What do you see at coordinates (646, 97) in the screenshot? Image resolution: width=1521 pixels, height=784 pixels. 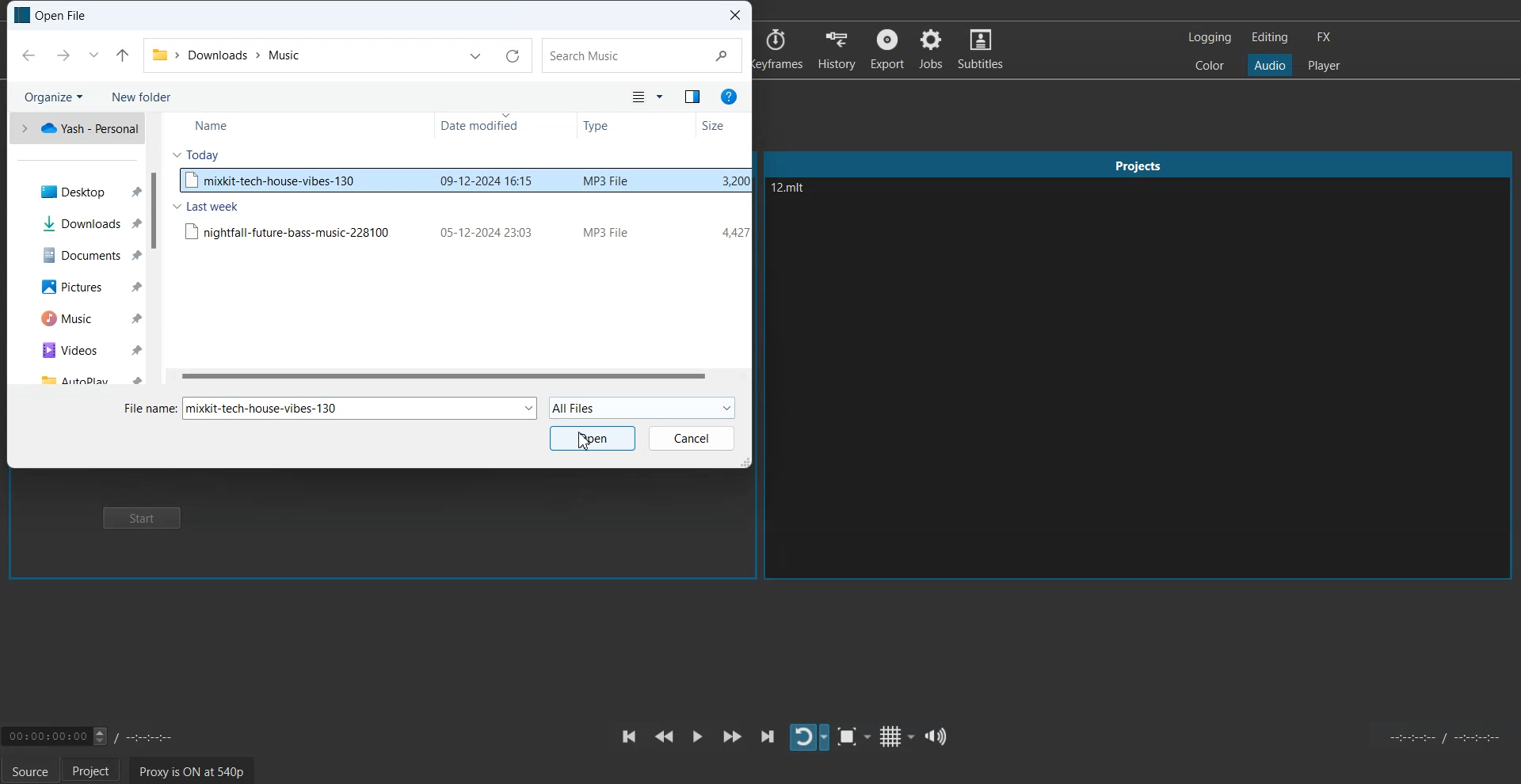 I see `Folder View mode` at bounding box center [646, 97].